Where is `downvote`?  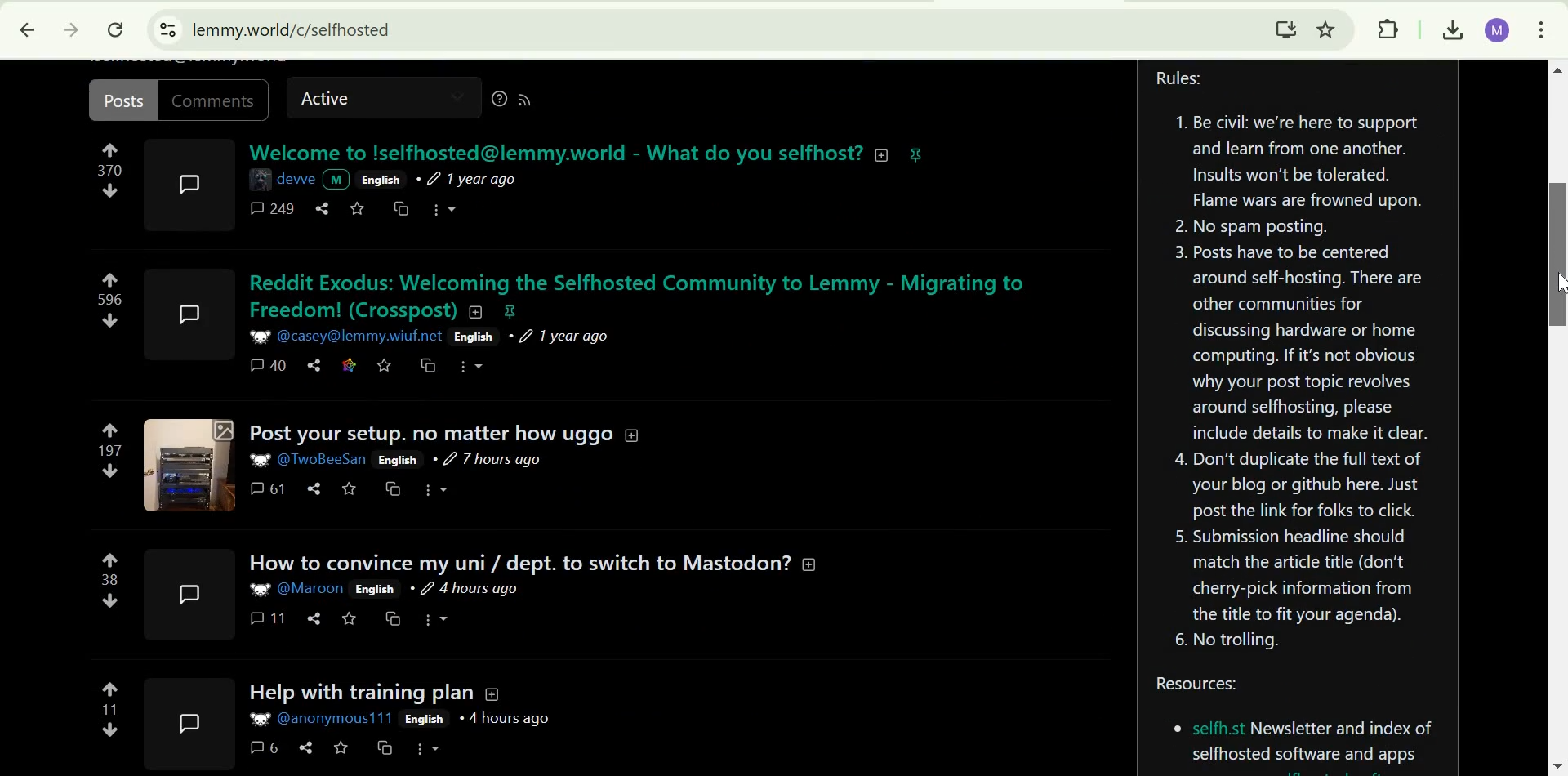 downvote is located at coordinates (109, 191).